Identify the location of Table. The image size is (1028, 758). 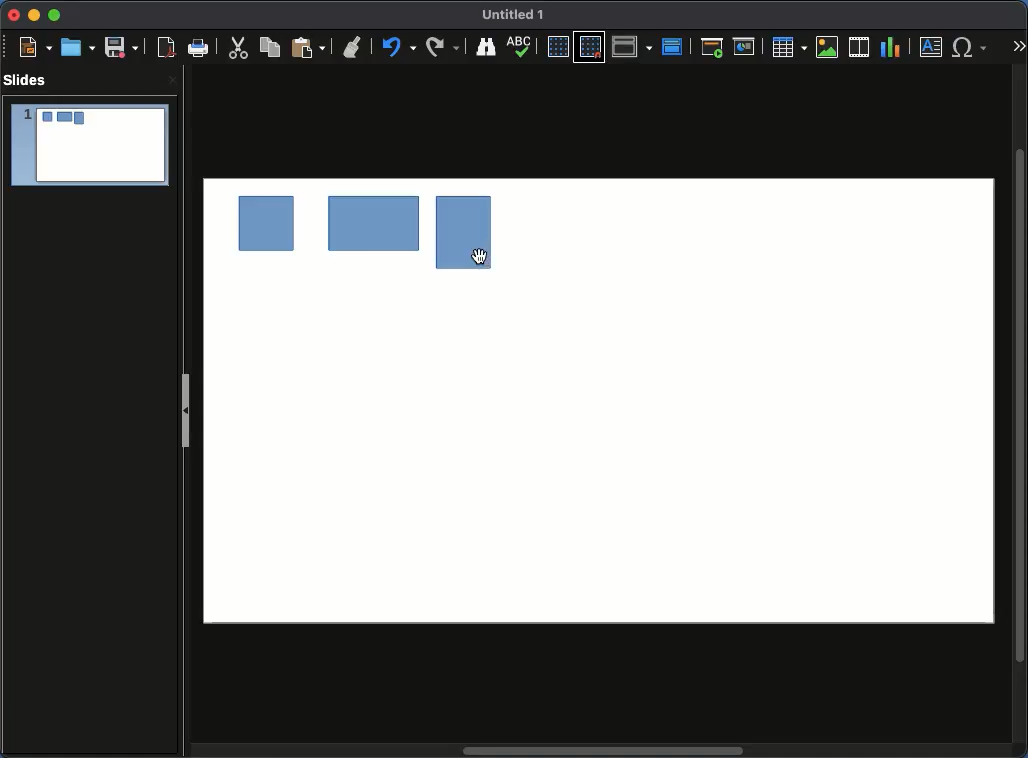
(790, 47).